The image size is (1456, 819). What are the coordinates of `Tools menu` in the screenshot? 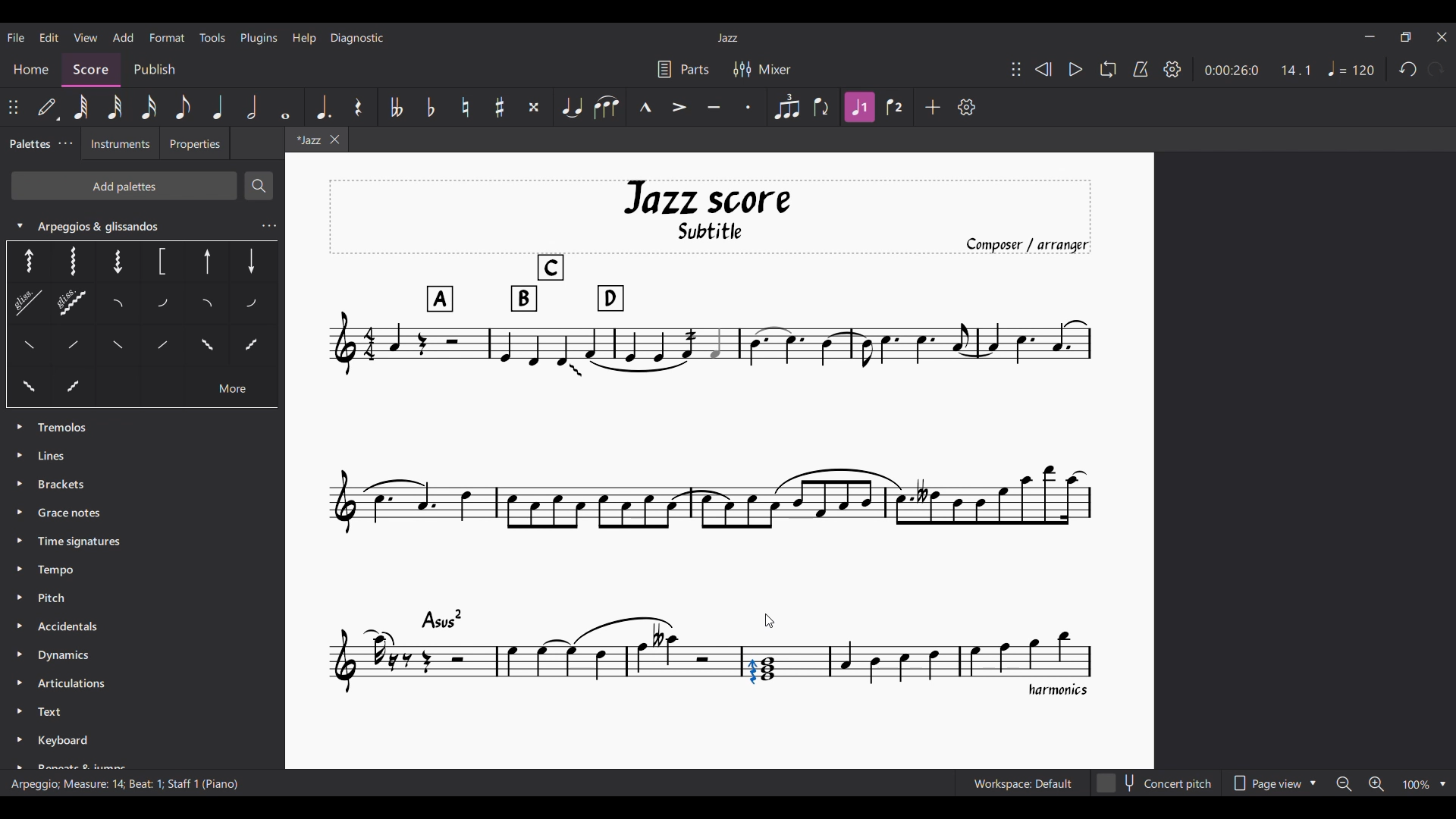 It's located at (212, 37).